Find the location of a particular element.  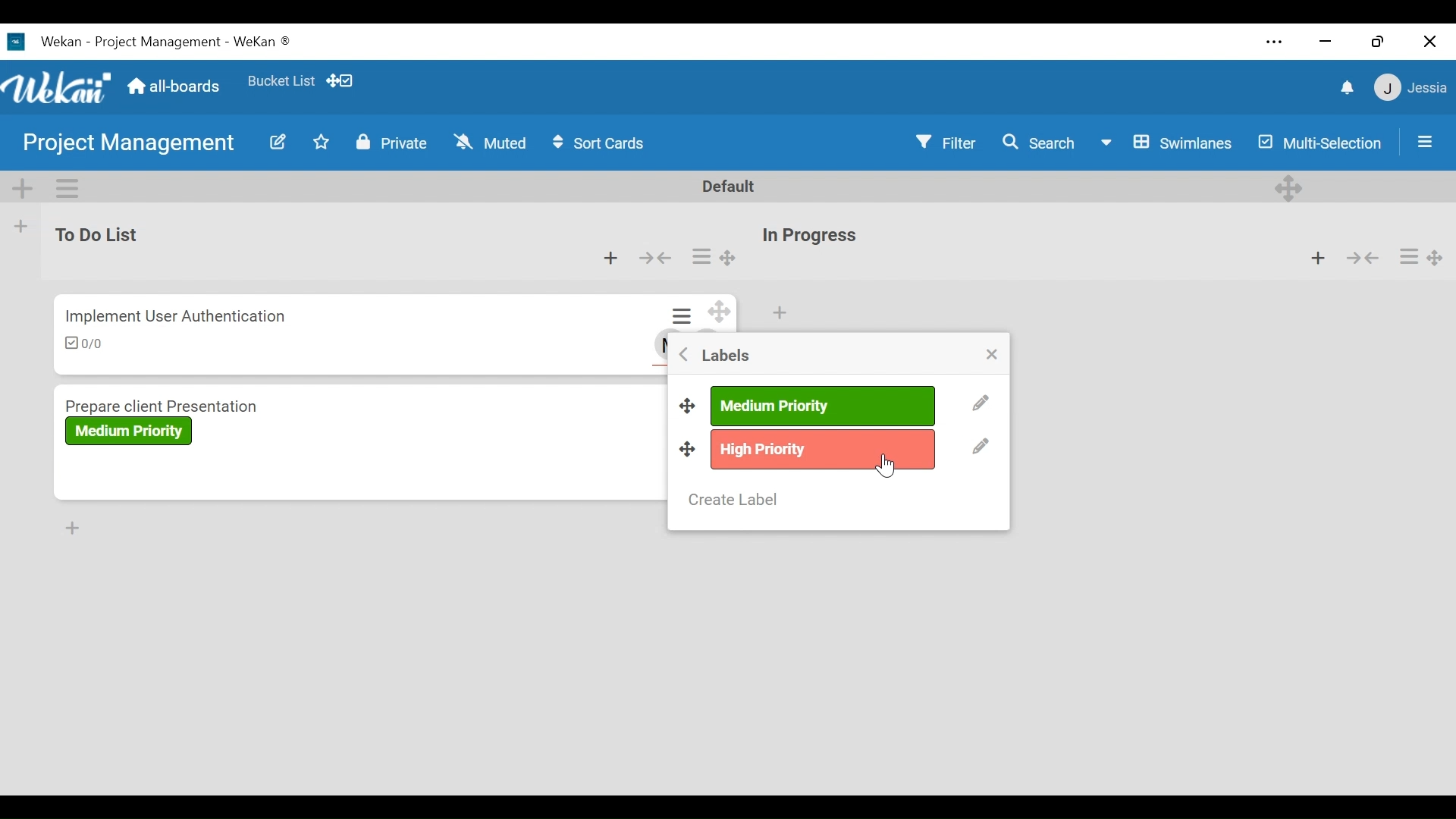

List Name is located at coordinates (95, 233).